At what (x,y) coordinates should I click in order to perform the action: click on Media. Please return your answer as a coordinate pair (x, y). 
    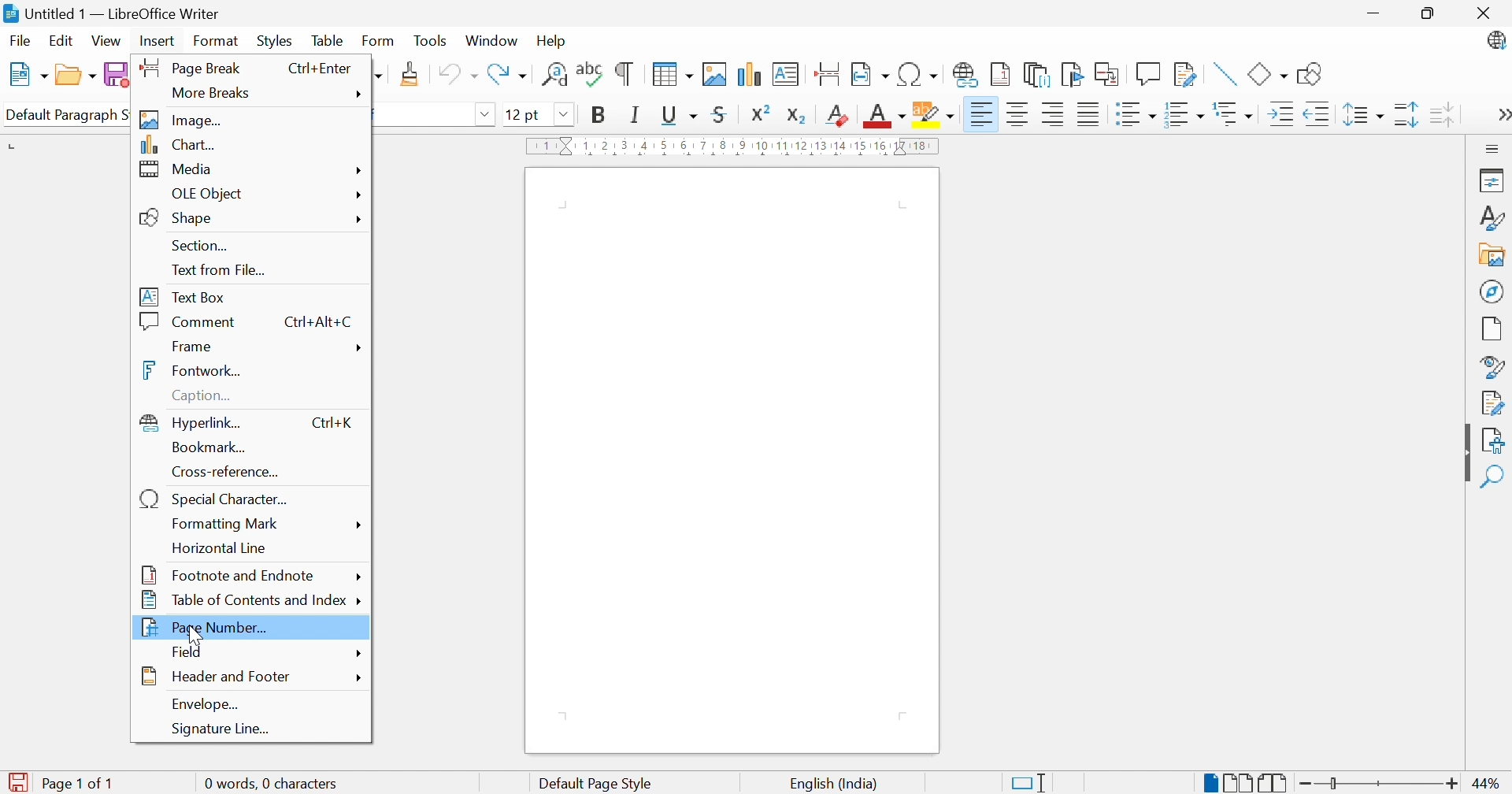
    Looking at the image, I should click on (177, 169).